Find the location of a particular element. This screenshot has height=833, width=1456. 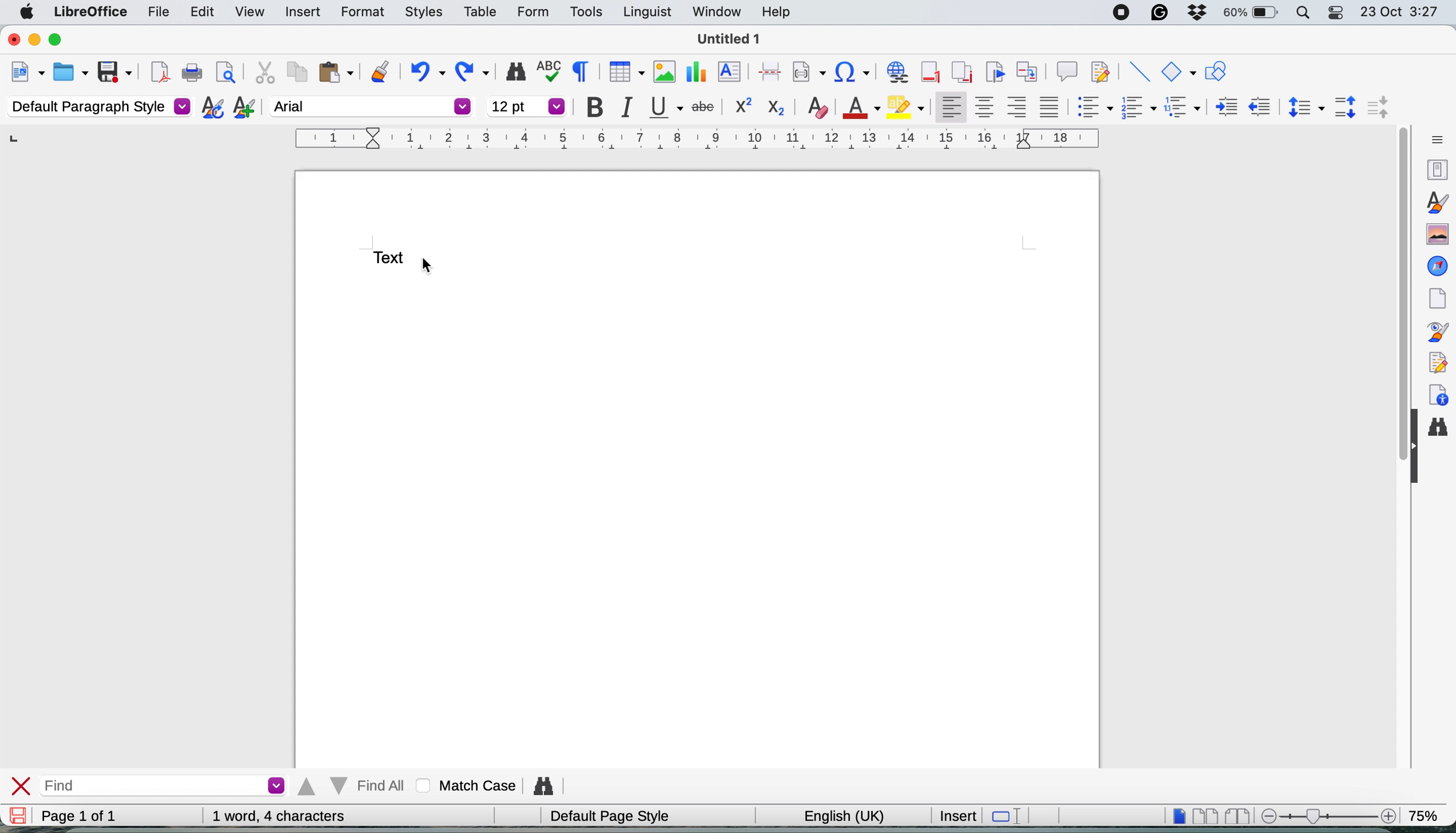

toggle unordered list is located at coordinates (1092, 110).